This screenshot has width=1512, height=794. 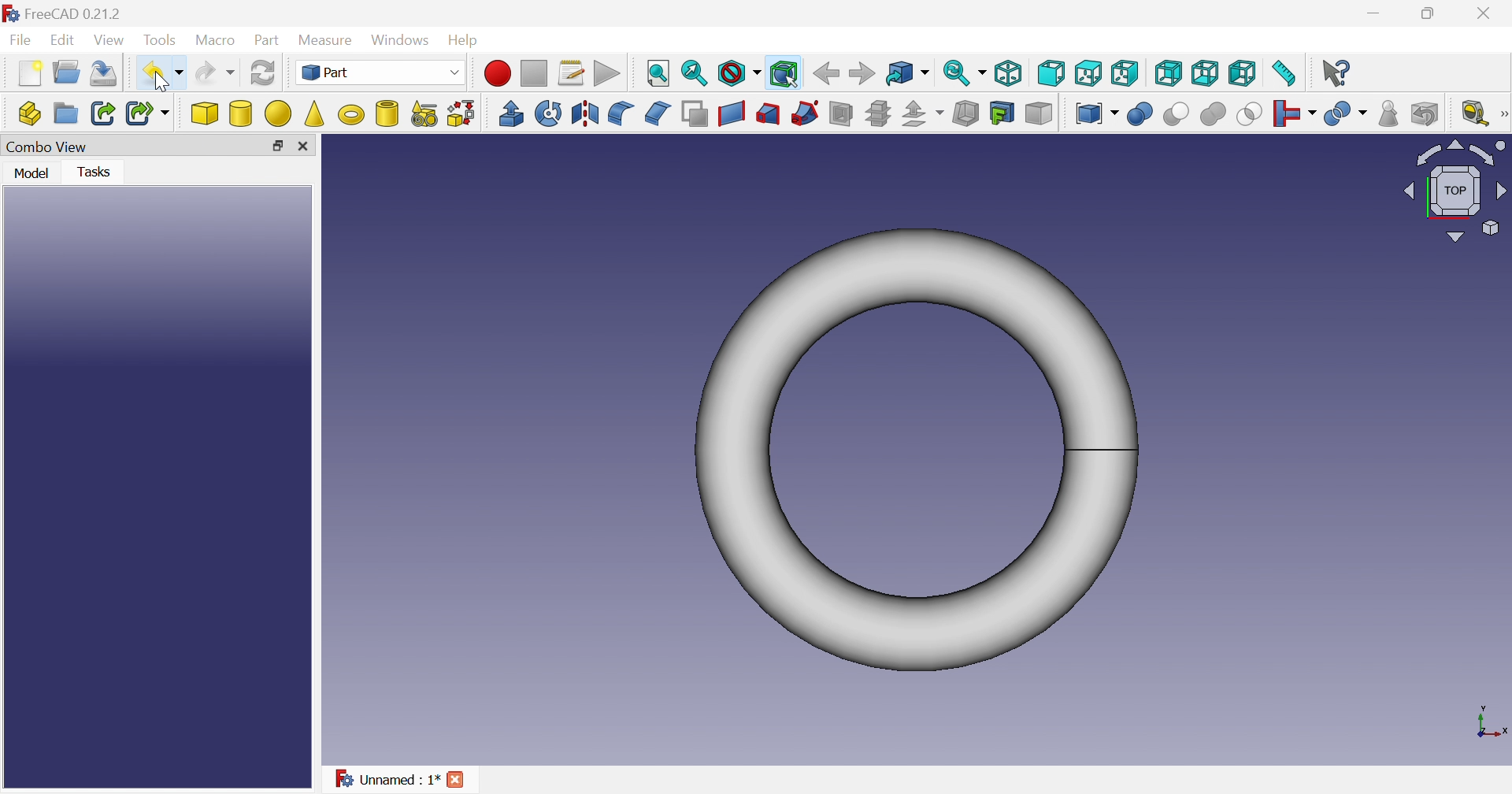 I want to click on Right, so click(x=1124, y=74).